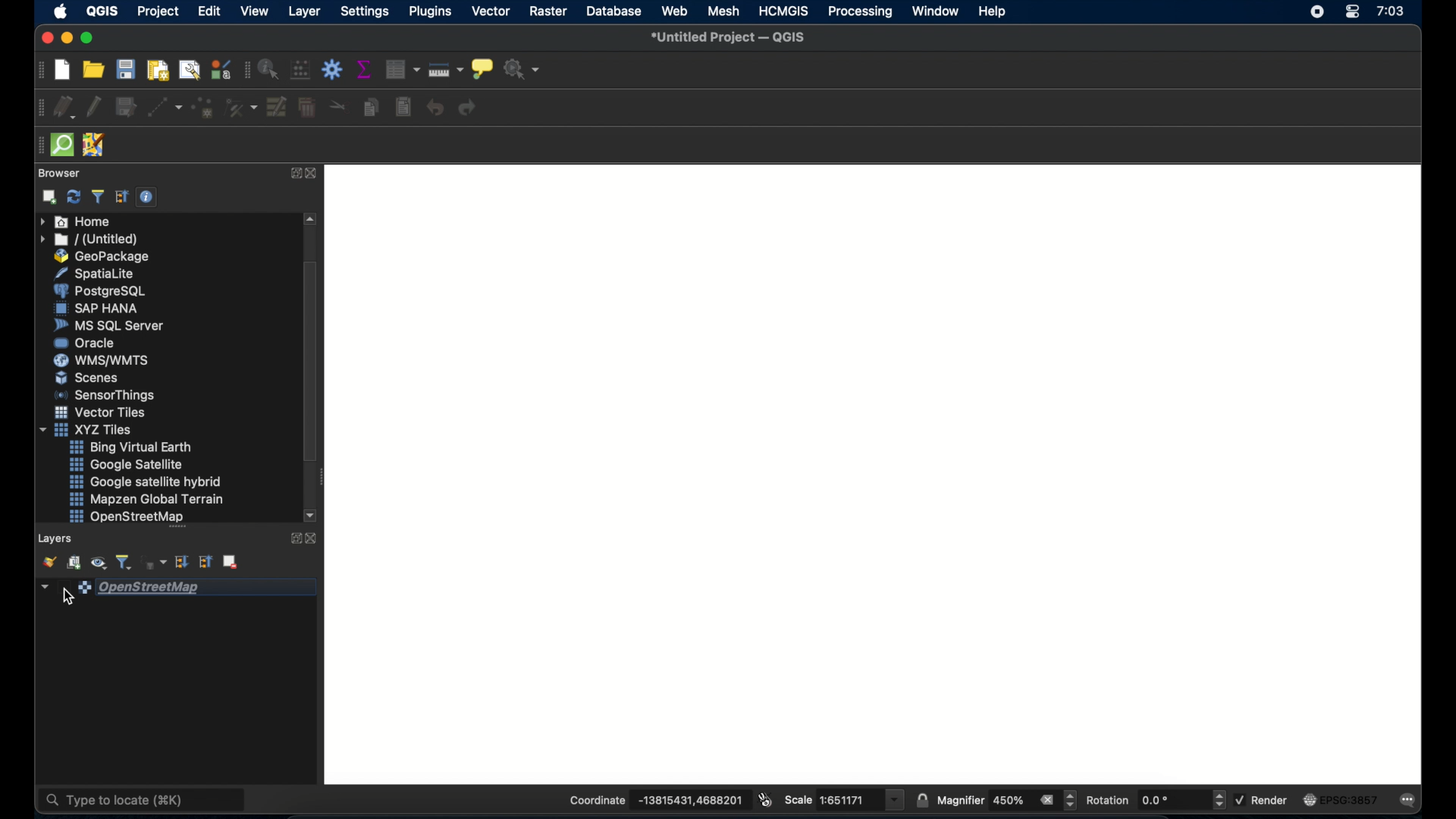  I want to click on layer, so click(305, 12).